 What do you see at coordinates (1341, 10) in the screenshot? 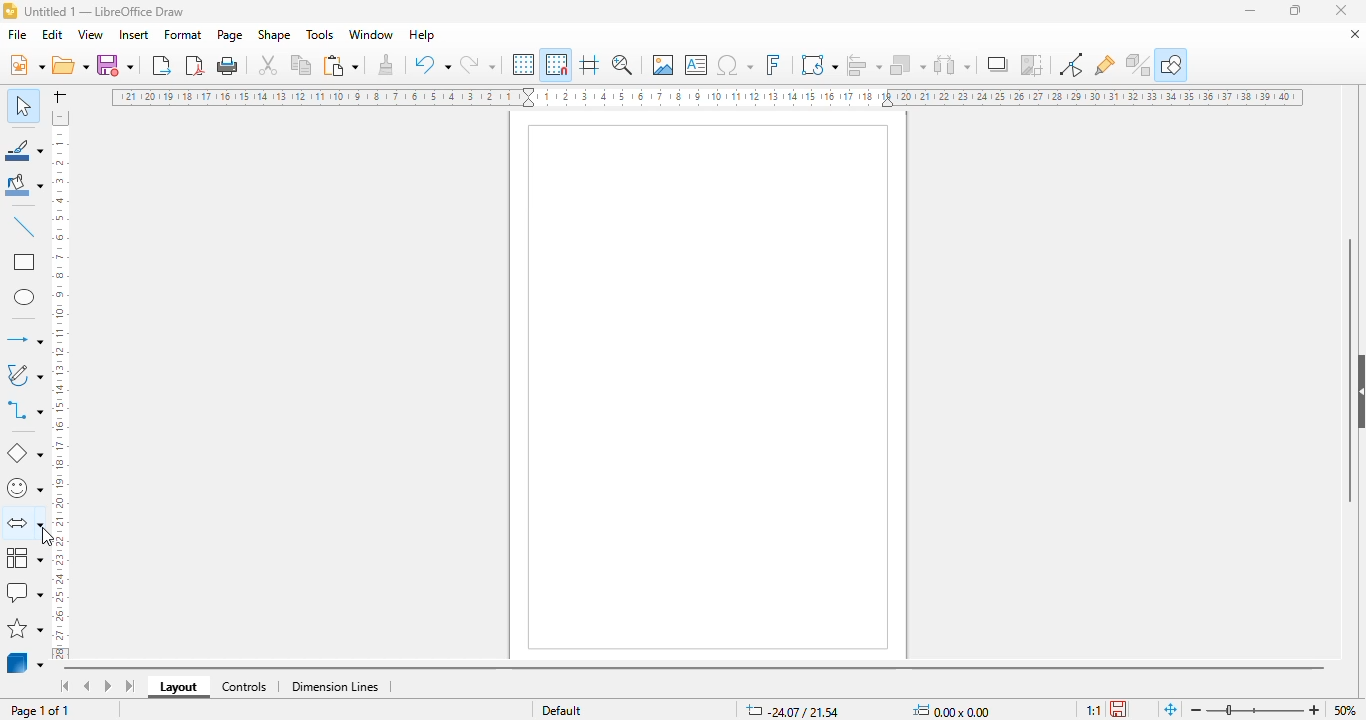
I see `close` at bounding box center [1341, 10].